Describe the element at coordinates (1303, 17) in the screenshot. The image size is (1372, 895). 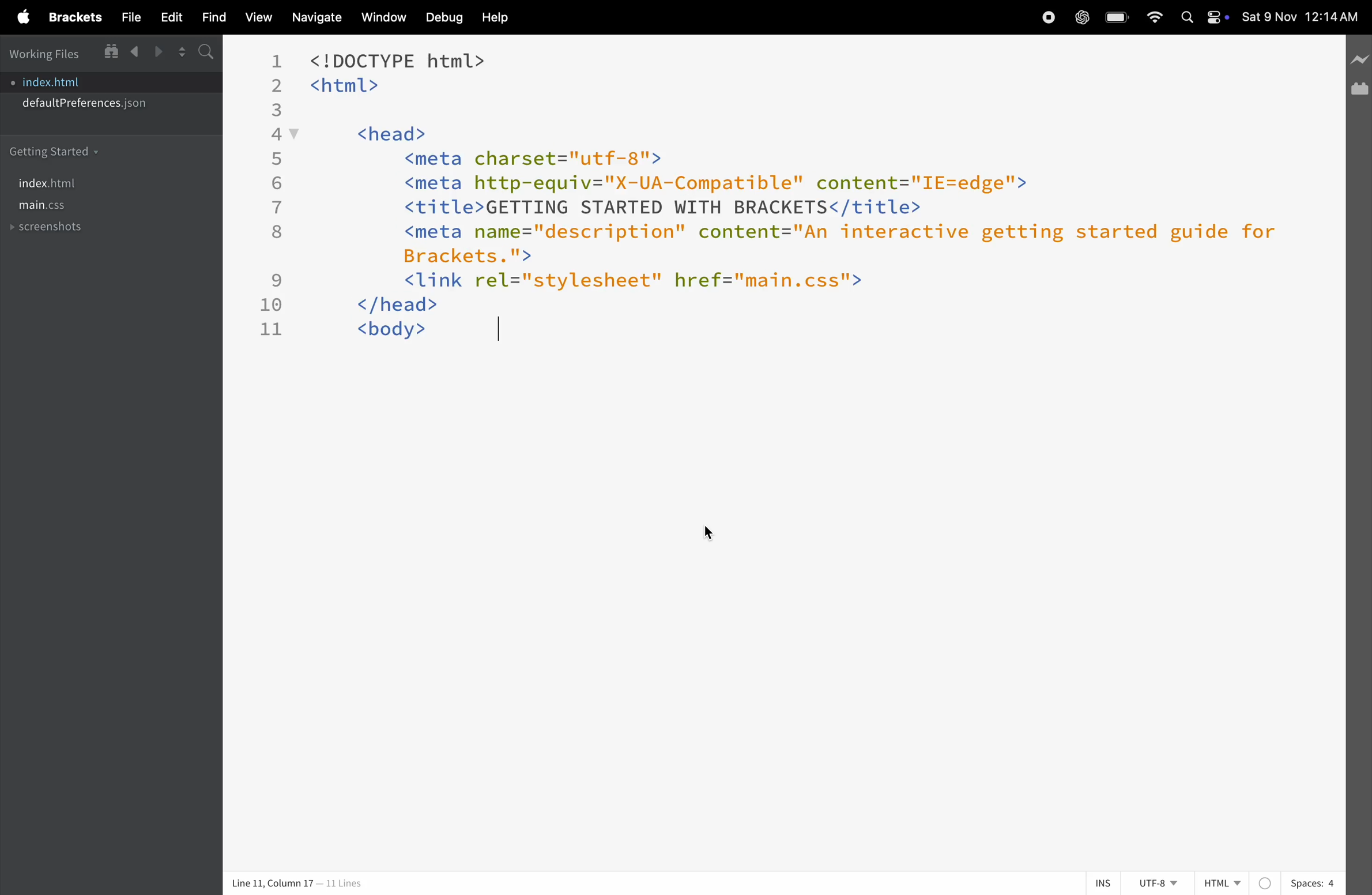
I see `date and time` at that location.